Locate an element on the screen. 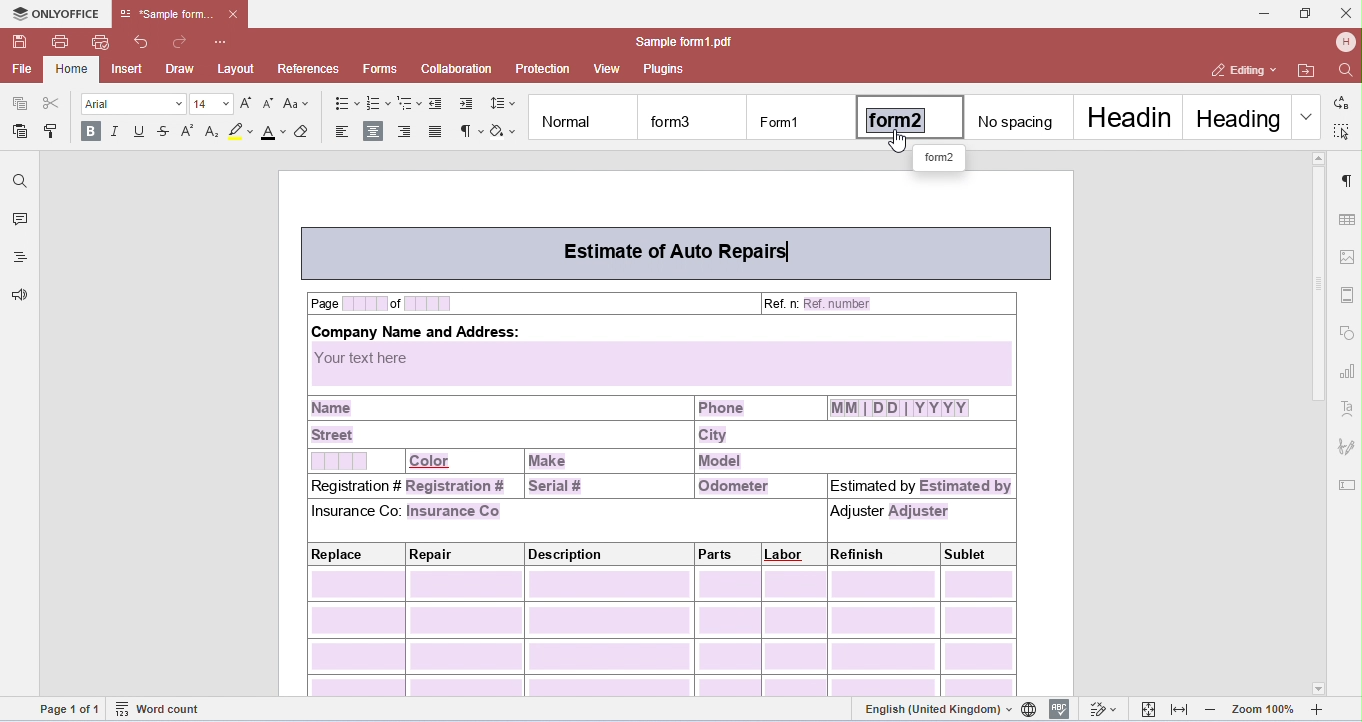 The height and width of the screenshot is (722, 1362). fit to page is located at coordinates (1150, 709).